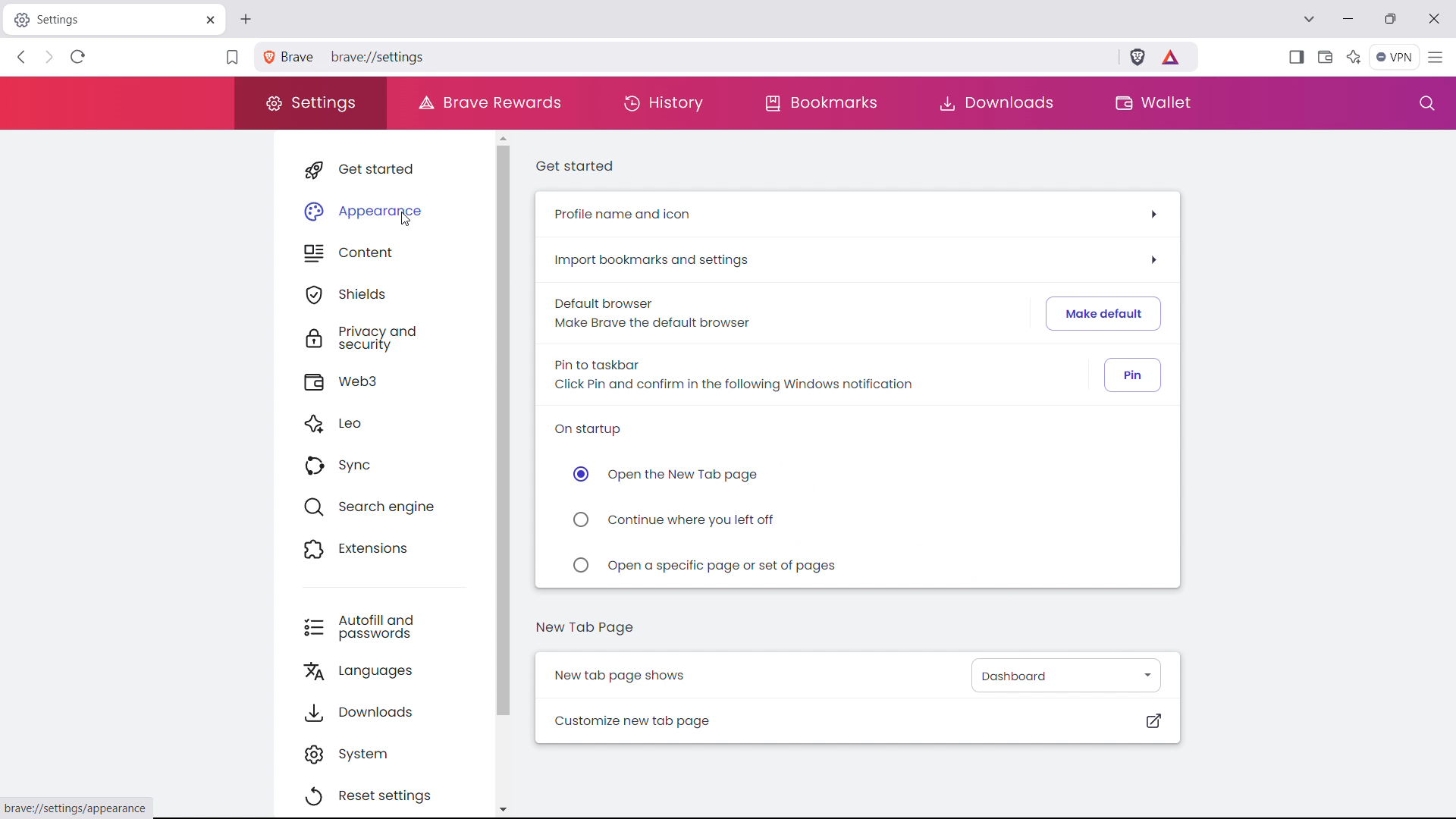 This screenshot has width=1456, height=819. I want to click on Default browser Make Brave the default browser, so click(696, 312).